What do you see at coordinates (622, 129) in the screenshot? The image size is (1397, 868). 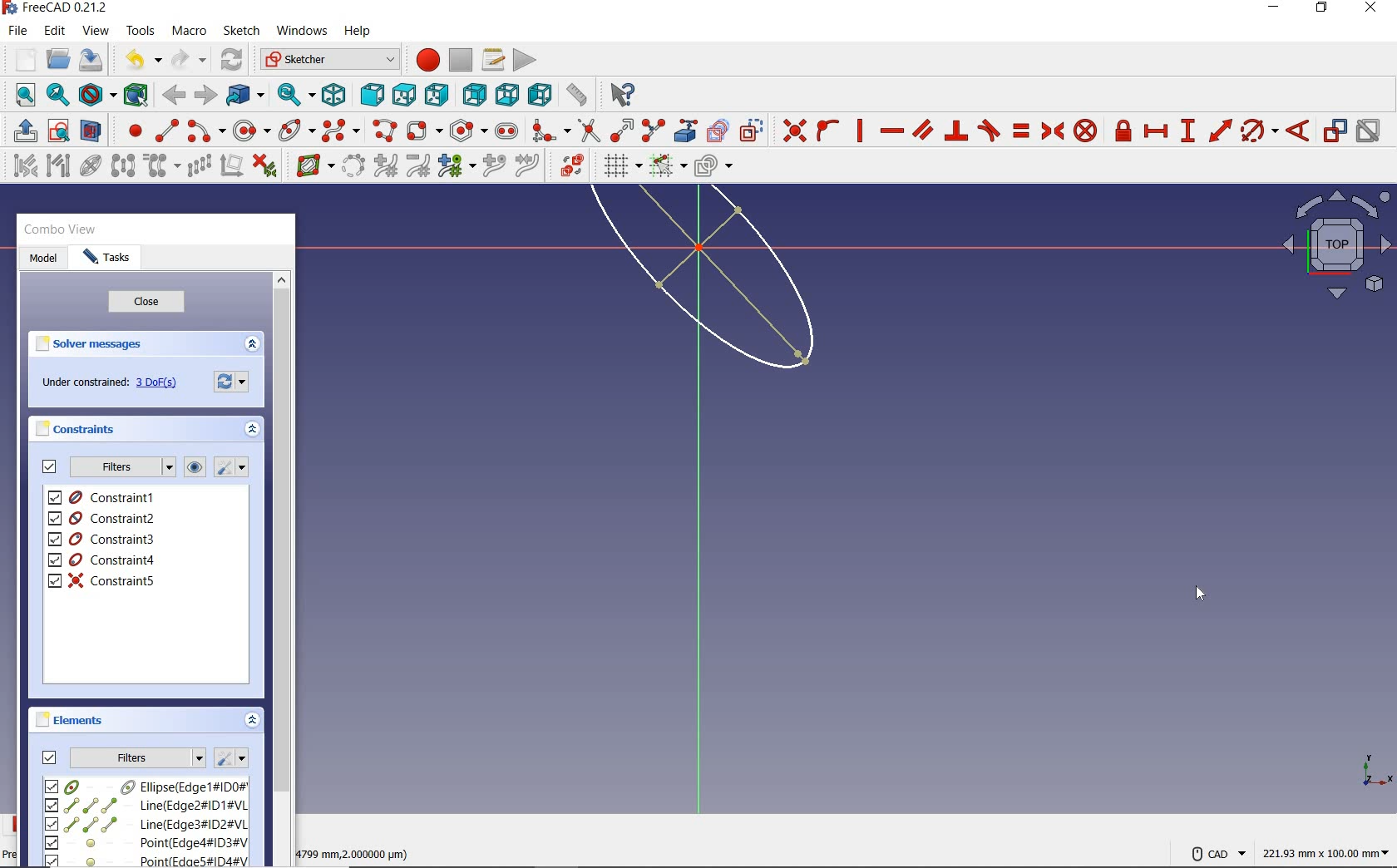 I see `extend edge` at bounding box center [622, 129].